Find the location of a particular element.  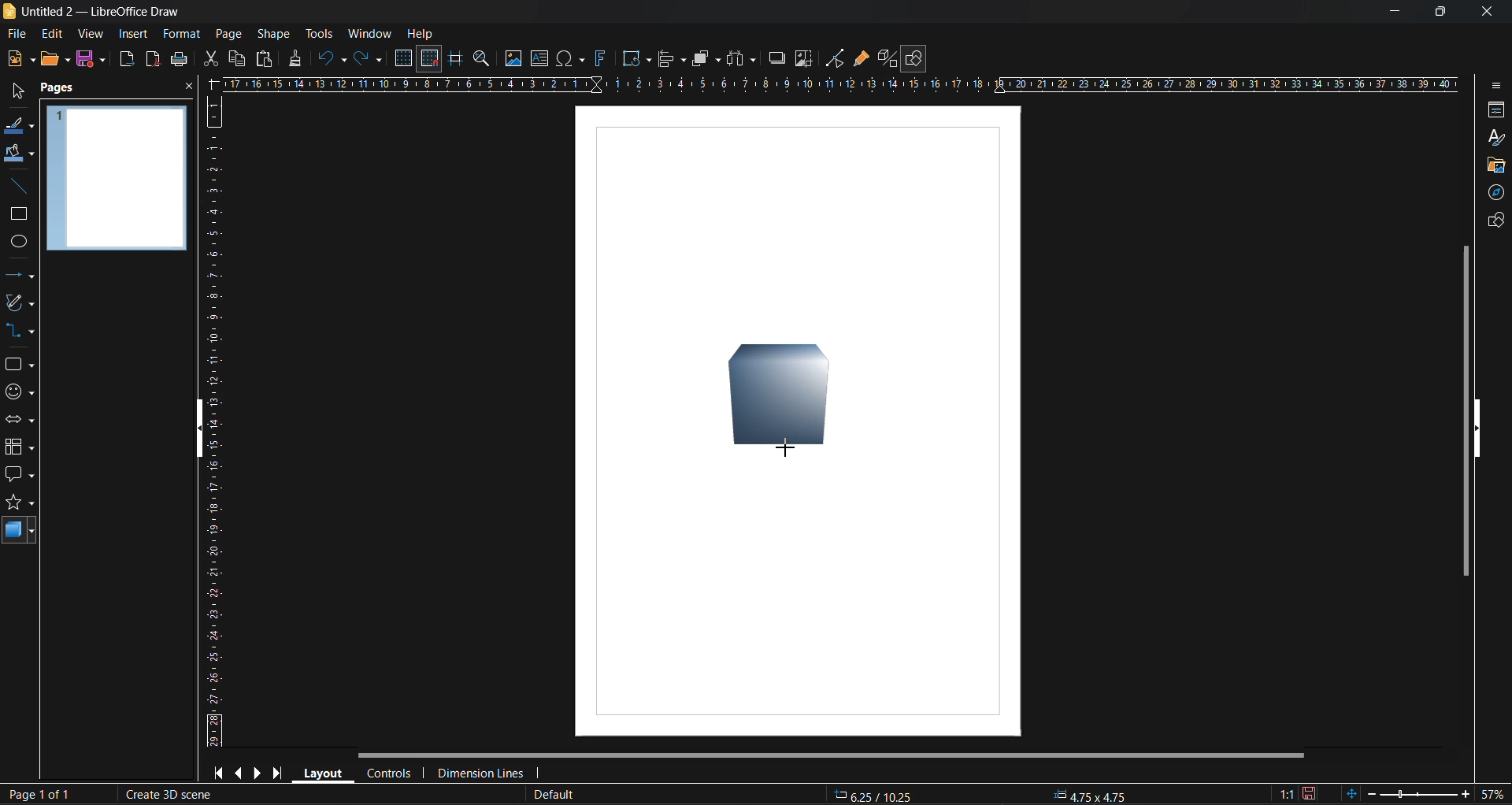

zoom out is located at coordinates (1371, 792).